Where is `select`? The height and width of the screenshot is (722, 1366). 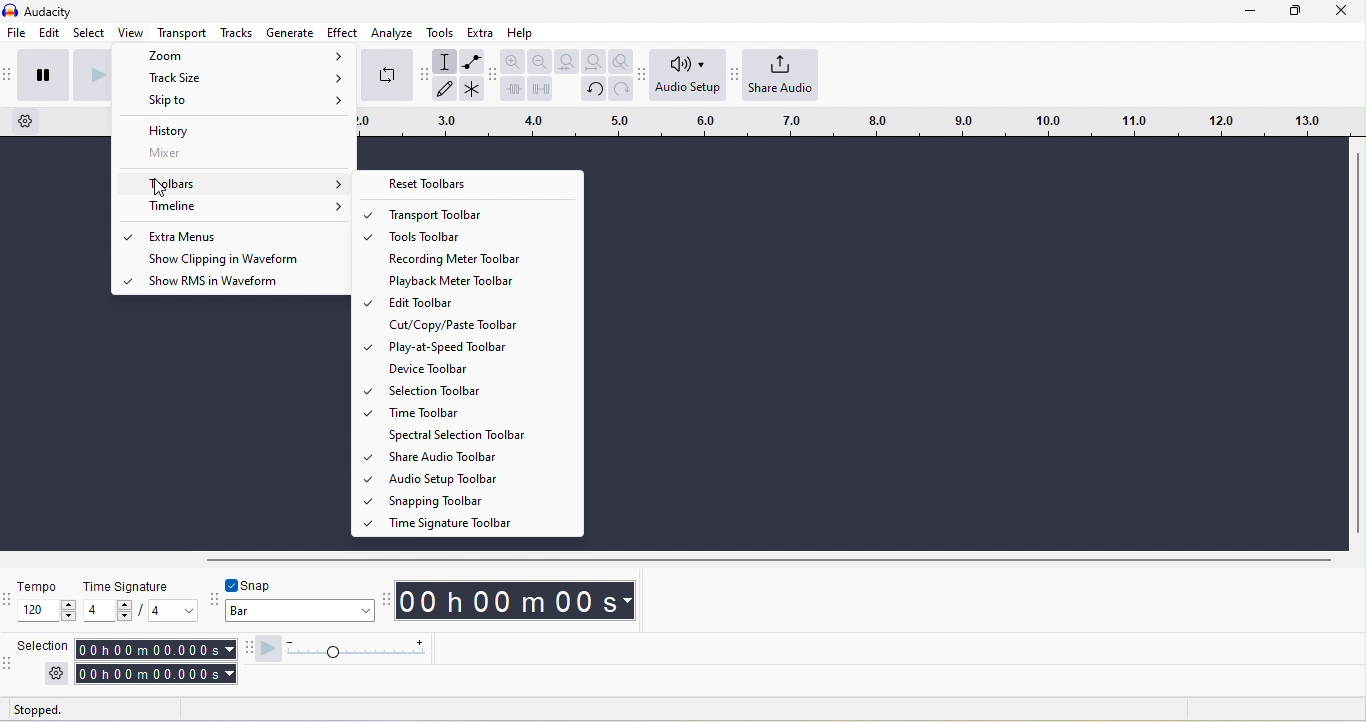
select is located at coordinates (89, 32).